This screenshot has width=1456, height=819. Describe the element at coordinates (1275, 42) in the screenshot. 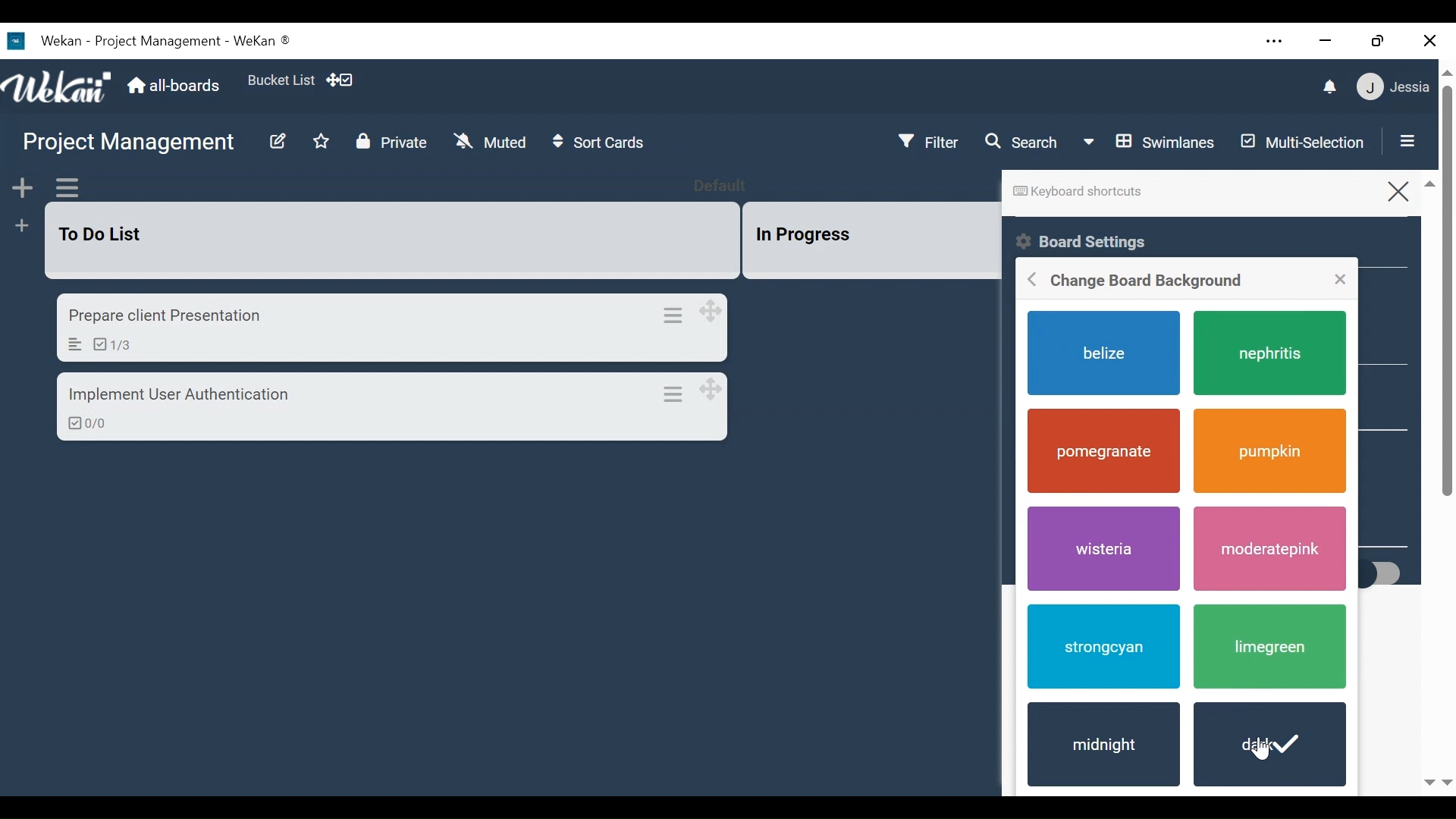

I see `settings and more` at that location.